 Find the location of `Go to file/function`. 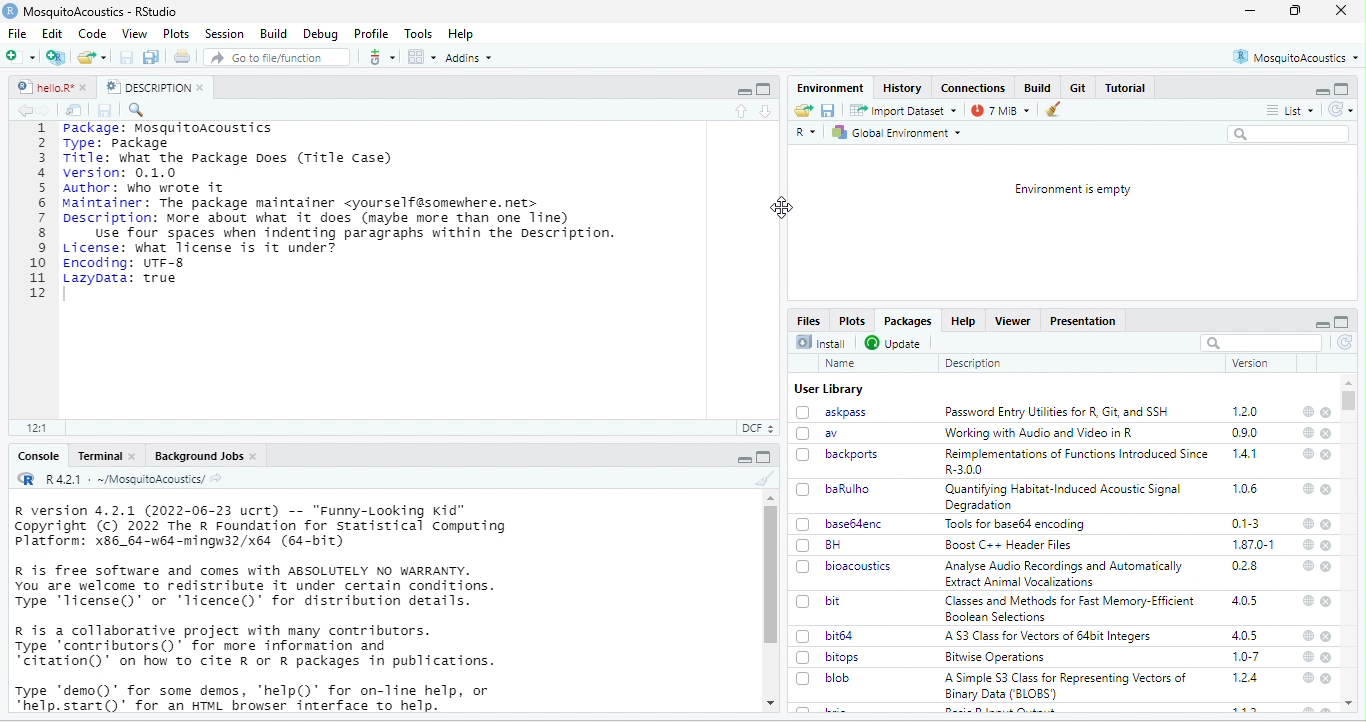

Go to file/function is located at coordinates (274, 56).